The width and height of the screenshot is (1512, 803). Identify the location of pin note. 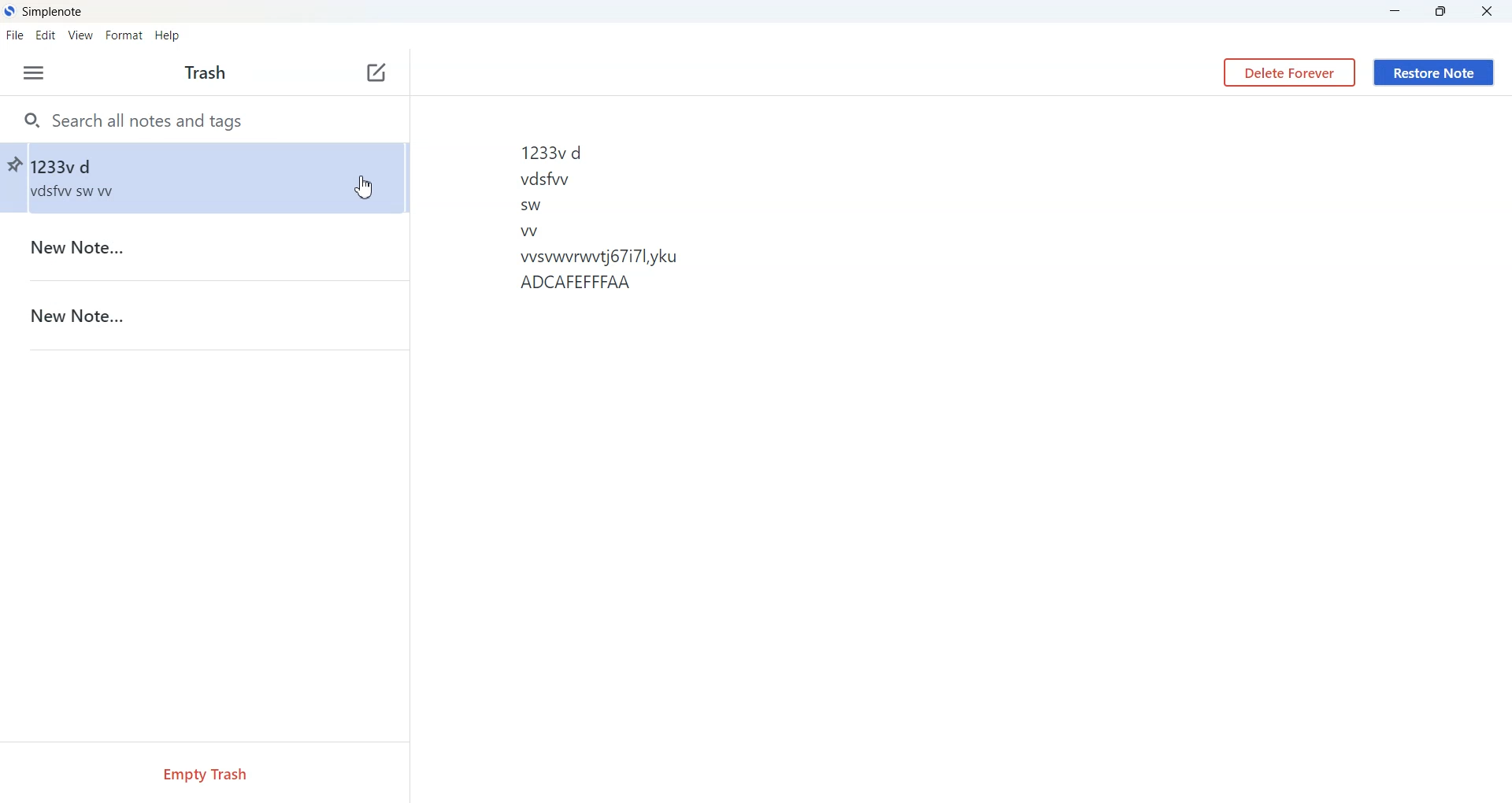
(13, 168).